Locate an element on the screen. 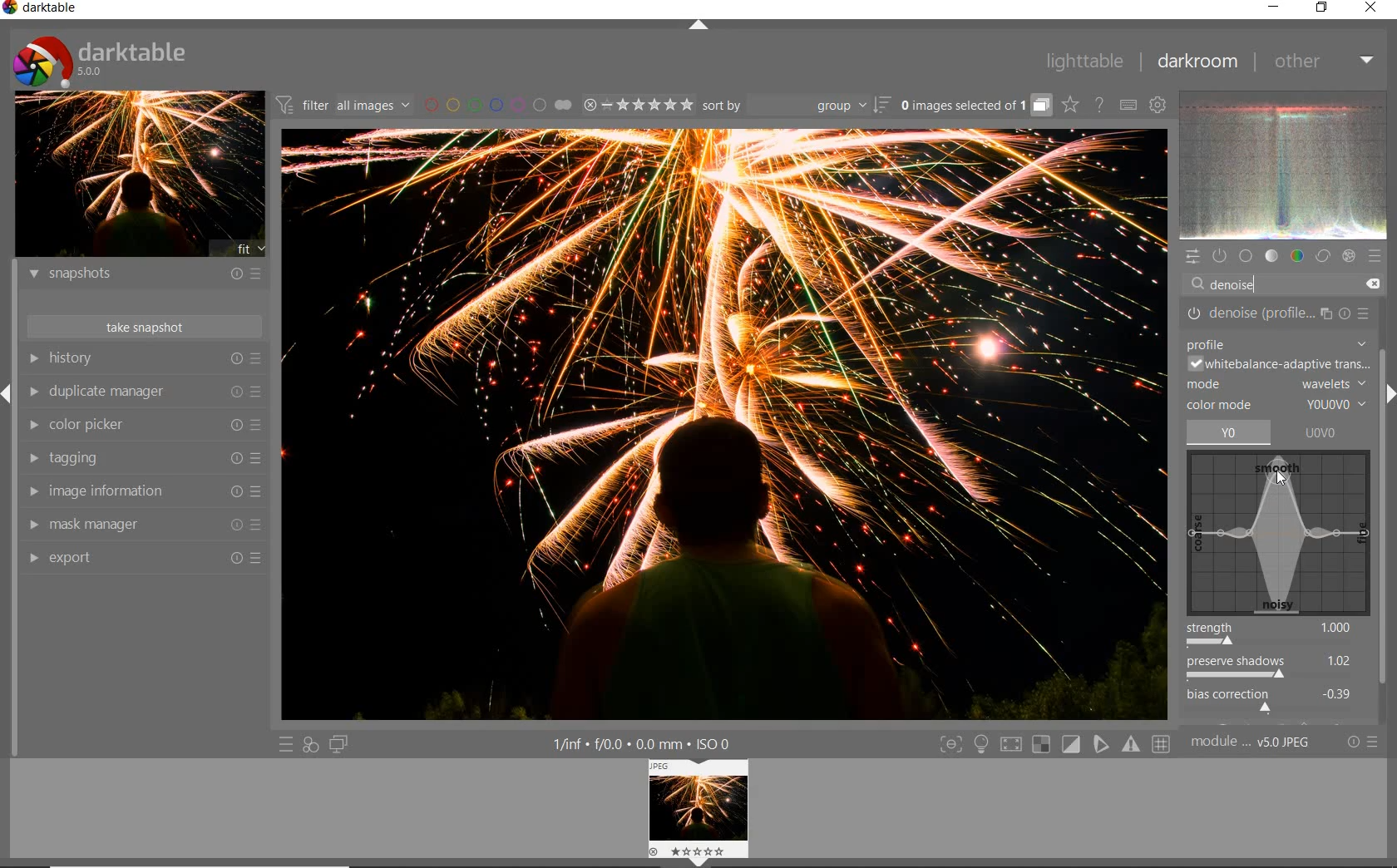  duplicate manager is located at coordinates (146, 392).